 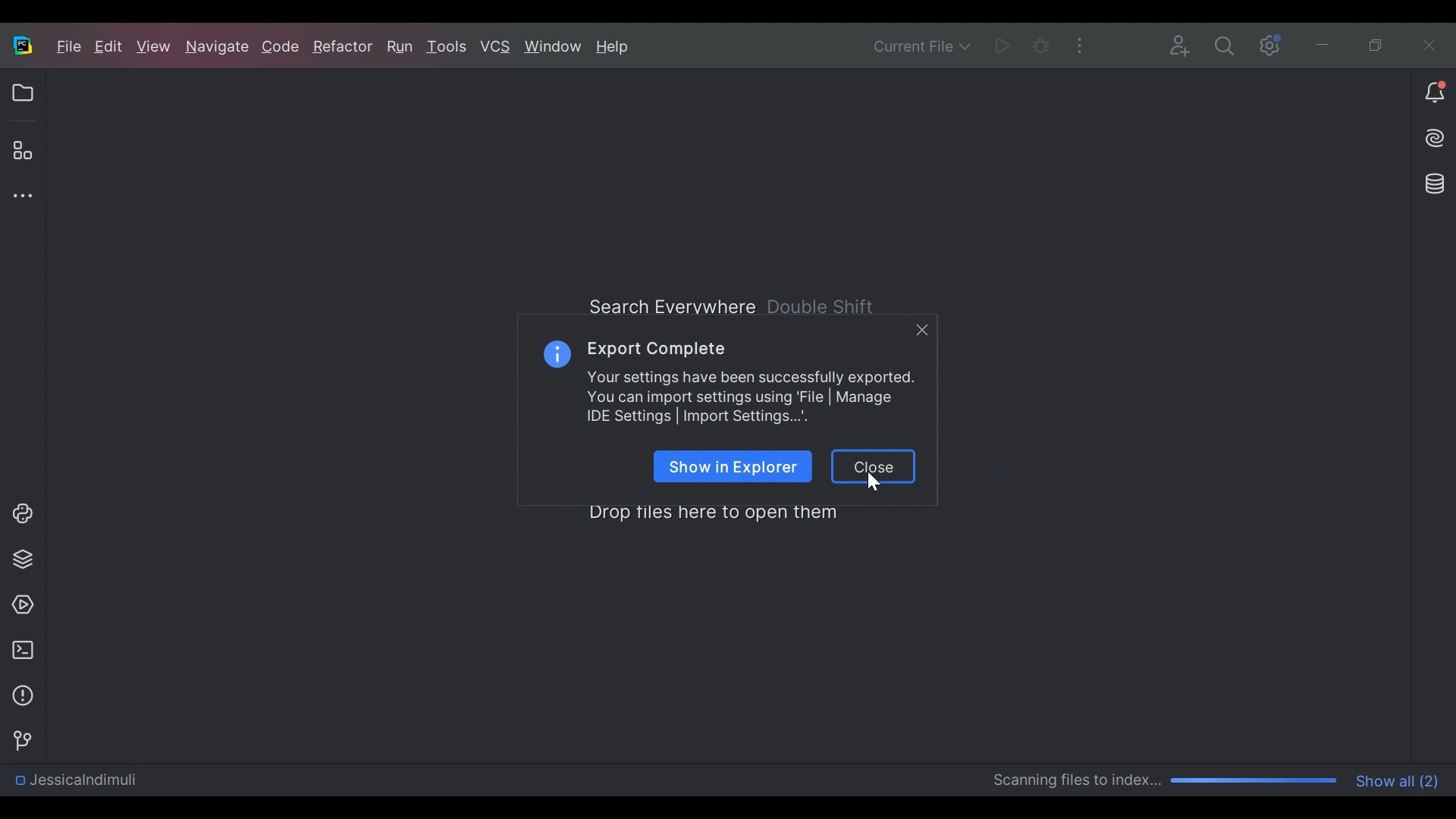 I want to click on Project View, so click(x=22, y=93).